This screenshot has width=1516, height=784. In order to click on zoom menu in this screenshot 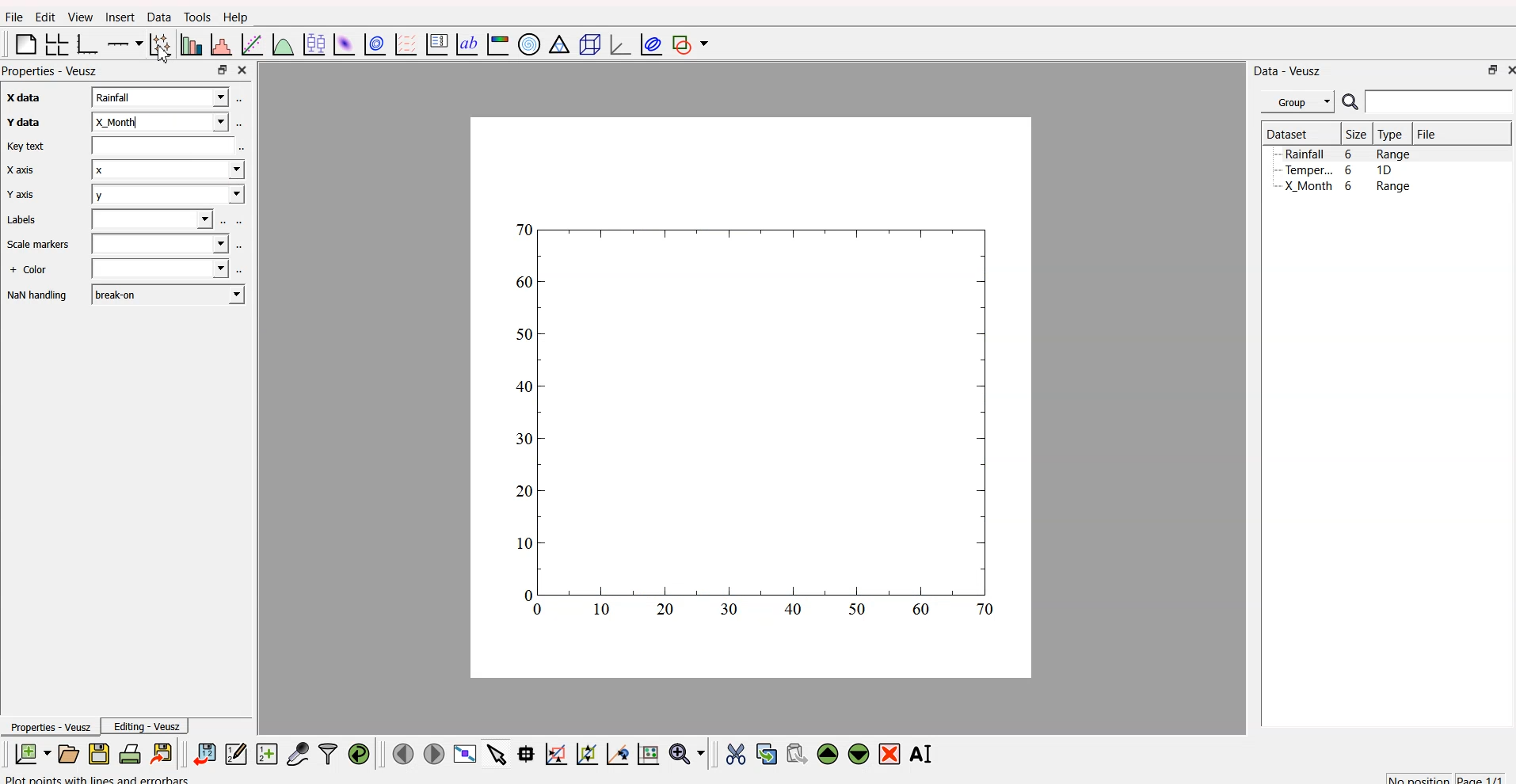, I will do `click(688, 752)`.